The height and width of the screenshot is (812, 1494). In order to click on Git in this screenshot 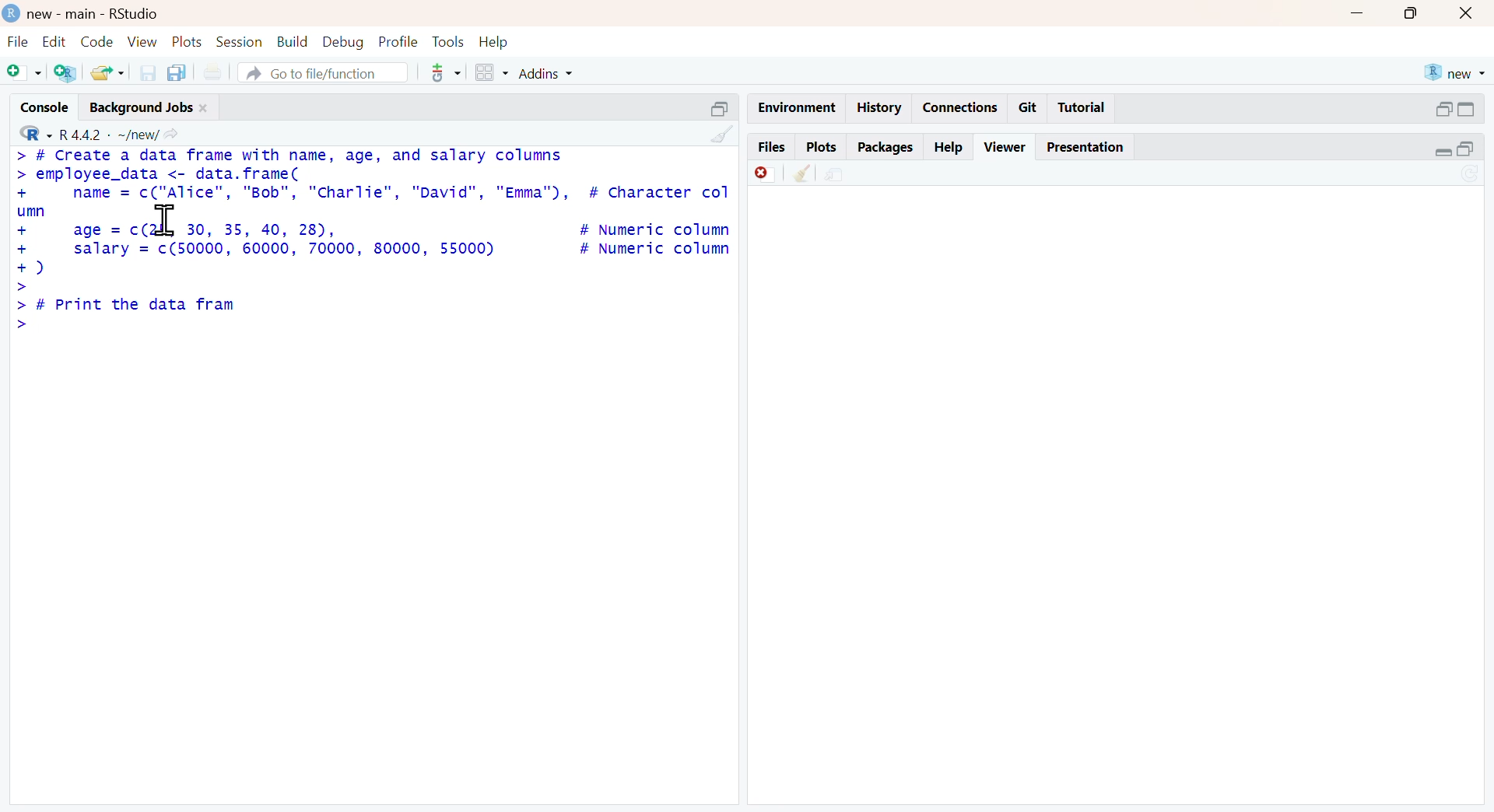, I will do `click(1029, 107)`.